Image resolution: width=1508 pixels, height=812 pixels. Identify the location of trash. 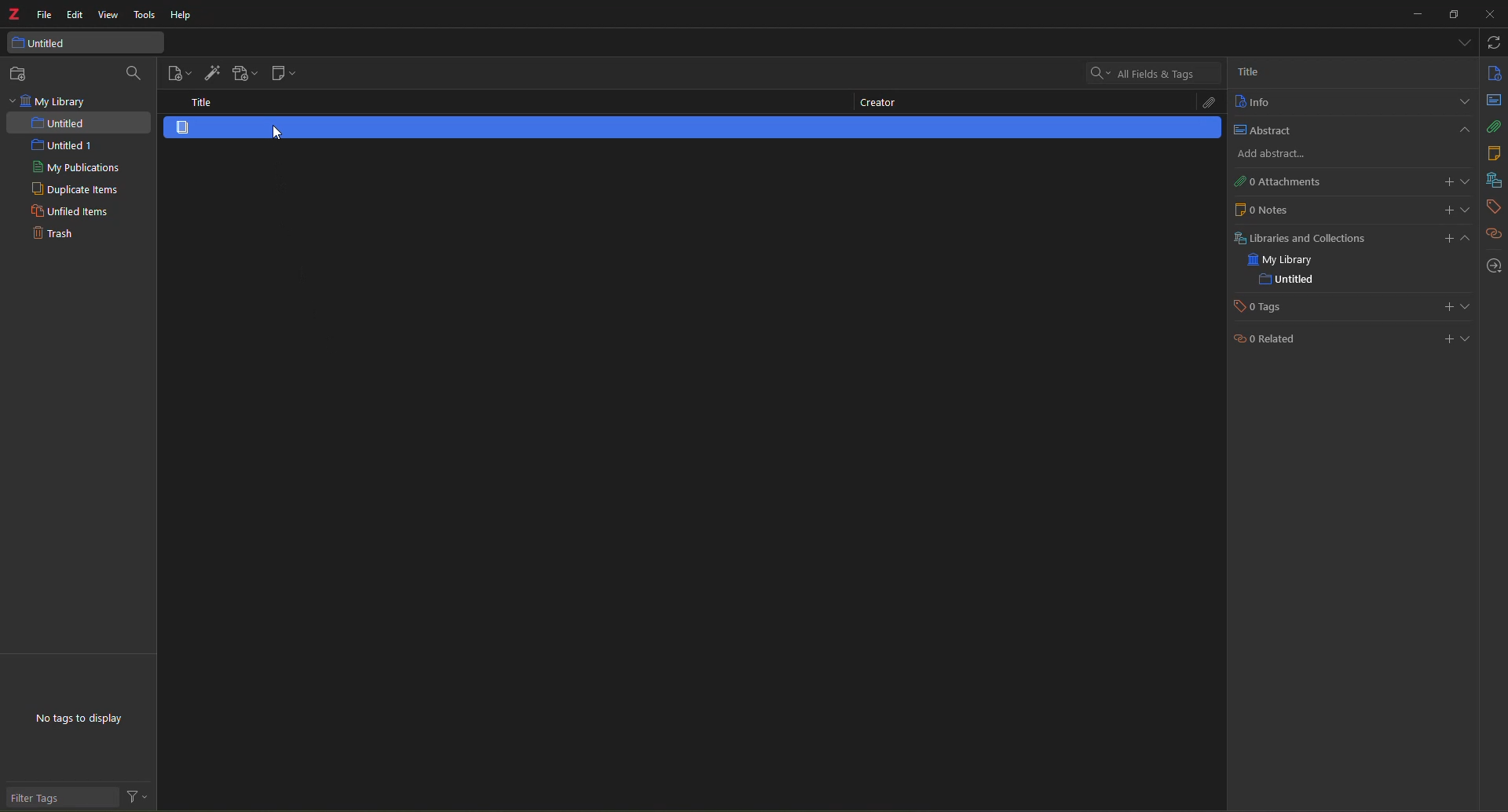
(51, 236).